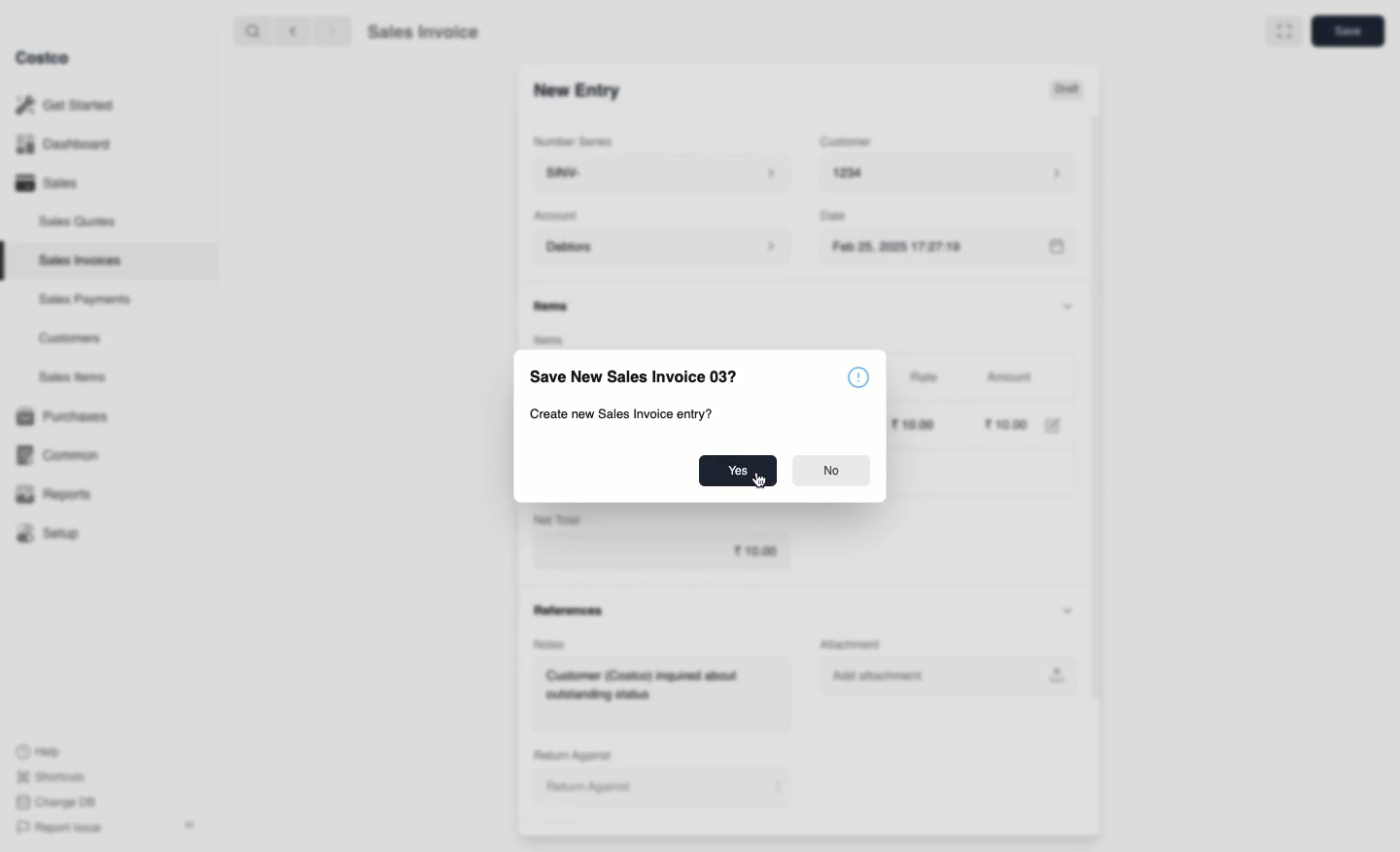 This screenshot has height=852, width=1400. Describe the element at coordinates (49, 531) in the screenshot. I see `Setup` at that location.